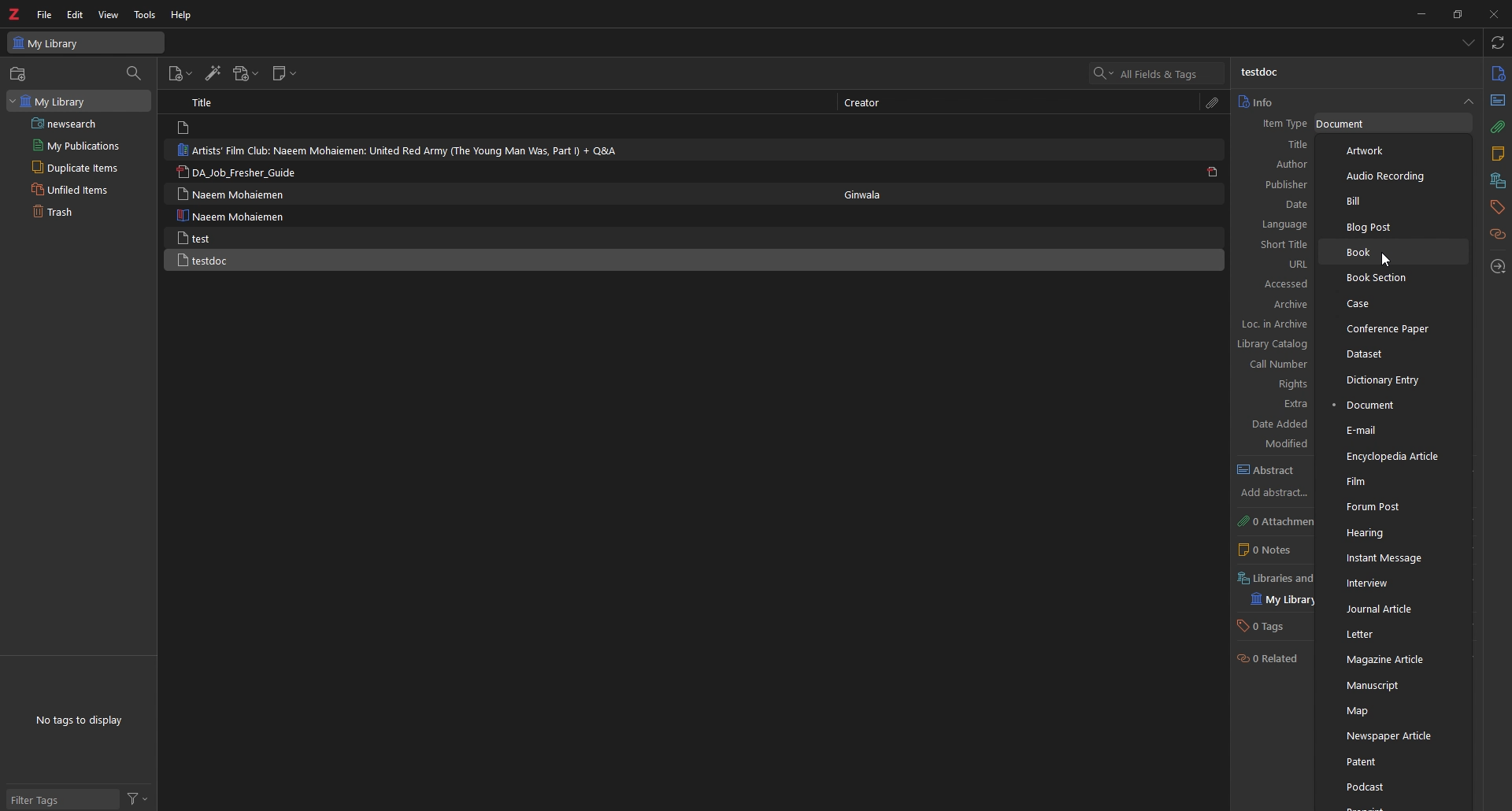 This screenshot has height=811, width=1512. I want to click on new collection, so click(20, 74).